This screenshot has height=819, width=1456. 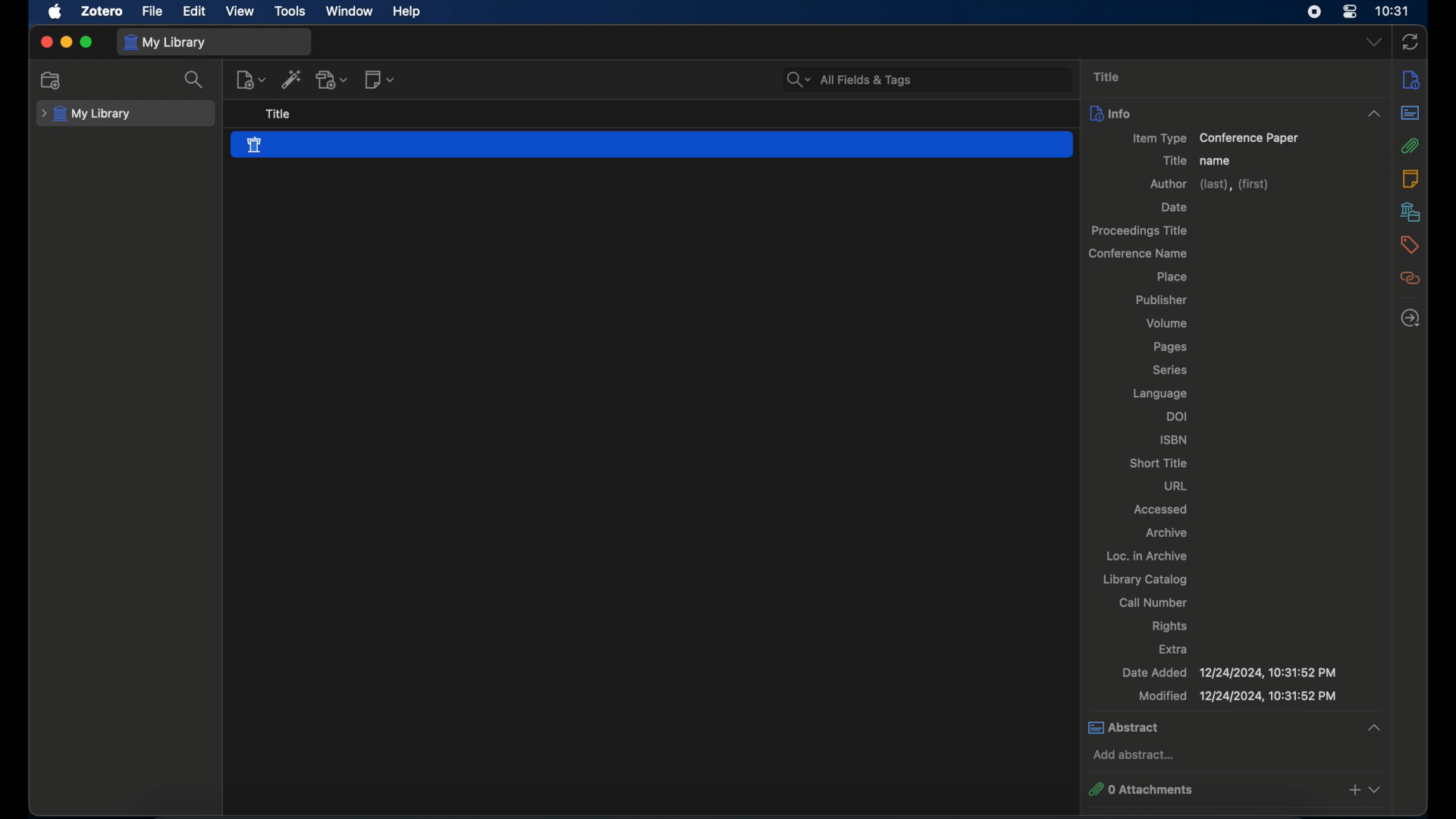 I want to click on name, so click(x=1216, y=162).